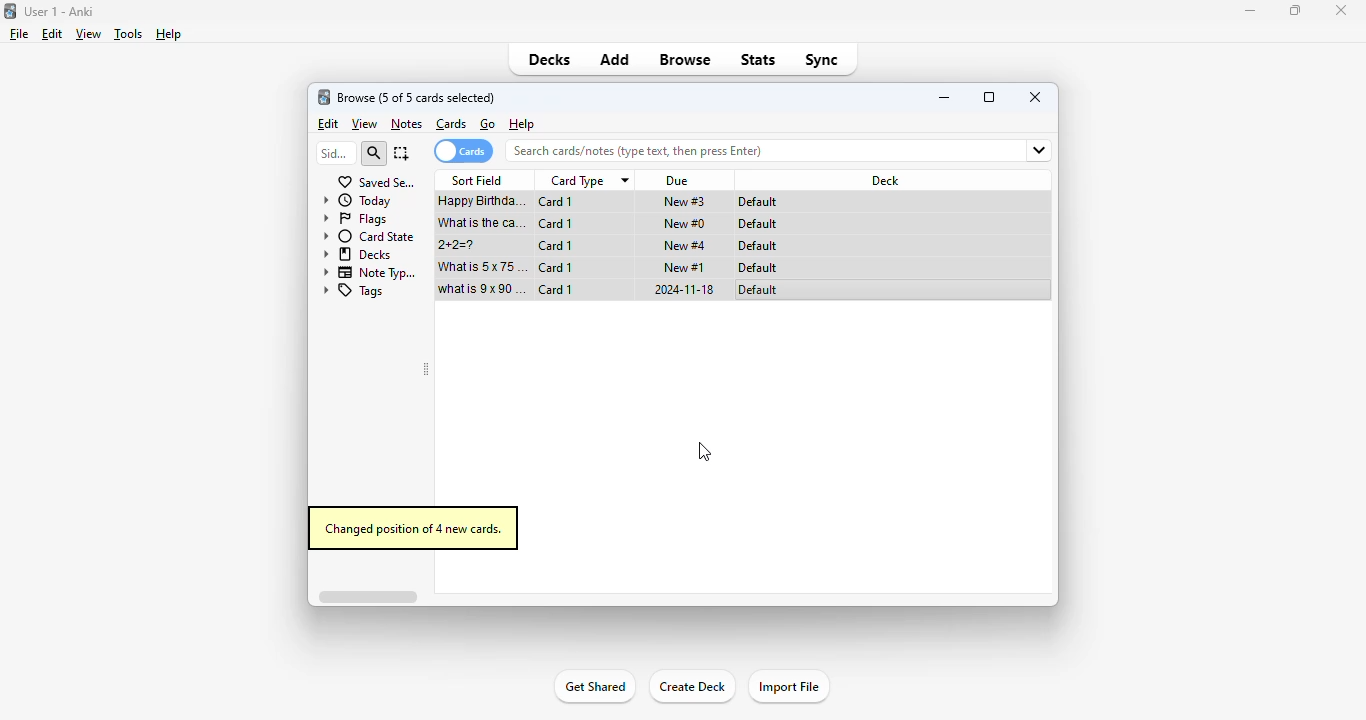 The height and width of the screenshot is (720, 1366). Describe the element at coordinates (705, 452) in the screenshot. I see `cursor` at that location.